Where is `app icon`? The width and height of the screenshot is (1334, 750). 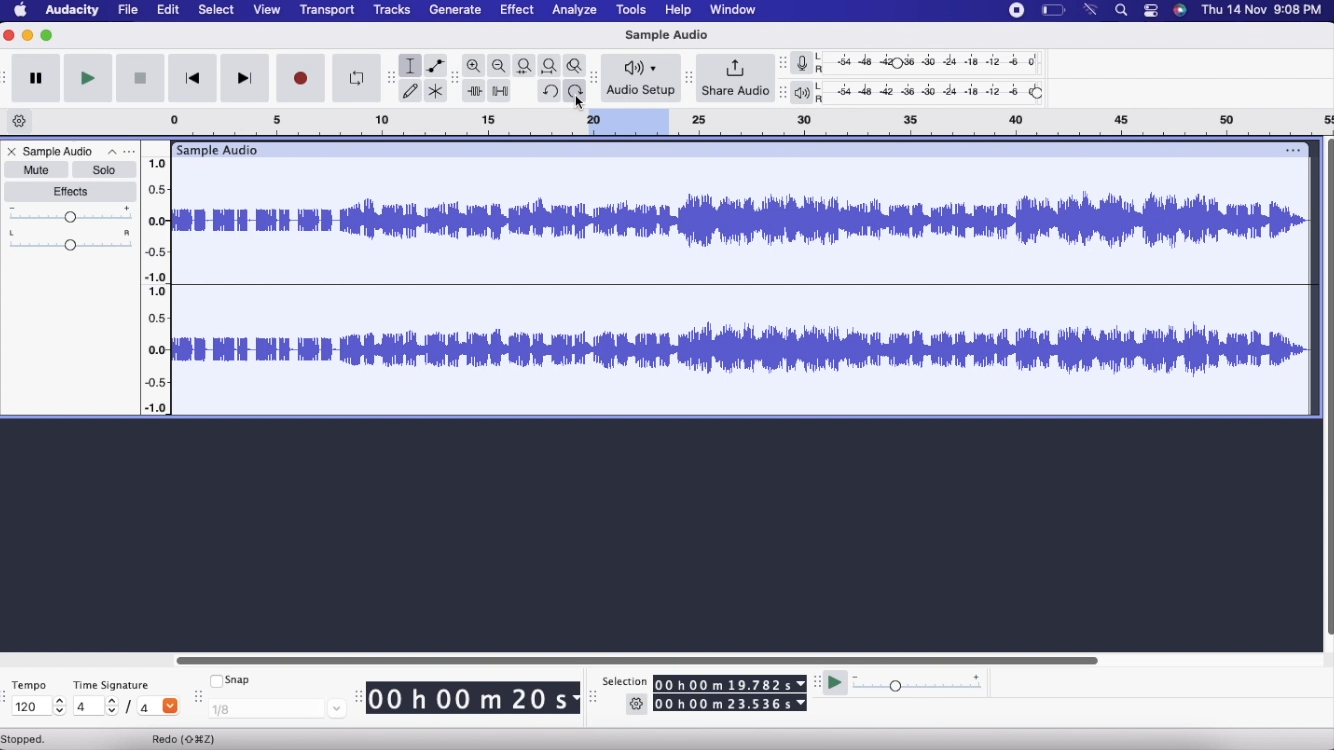 app icon is located at coordinates (1180, 10).